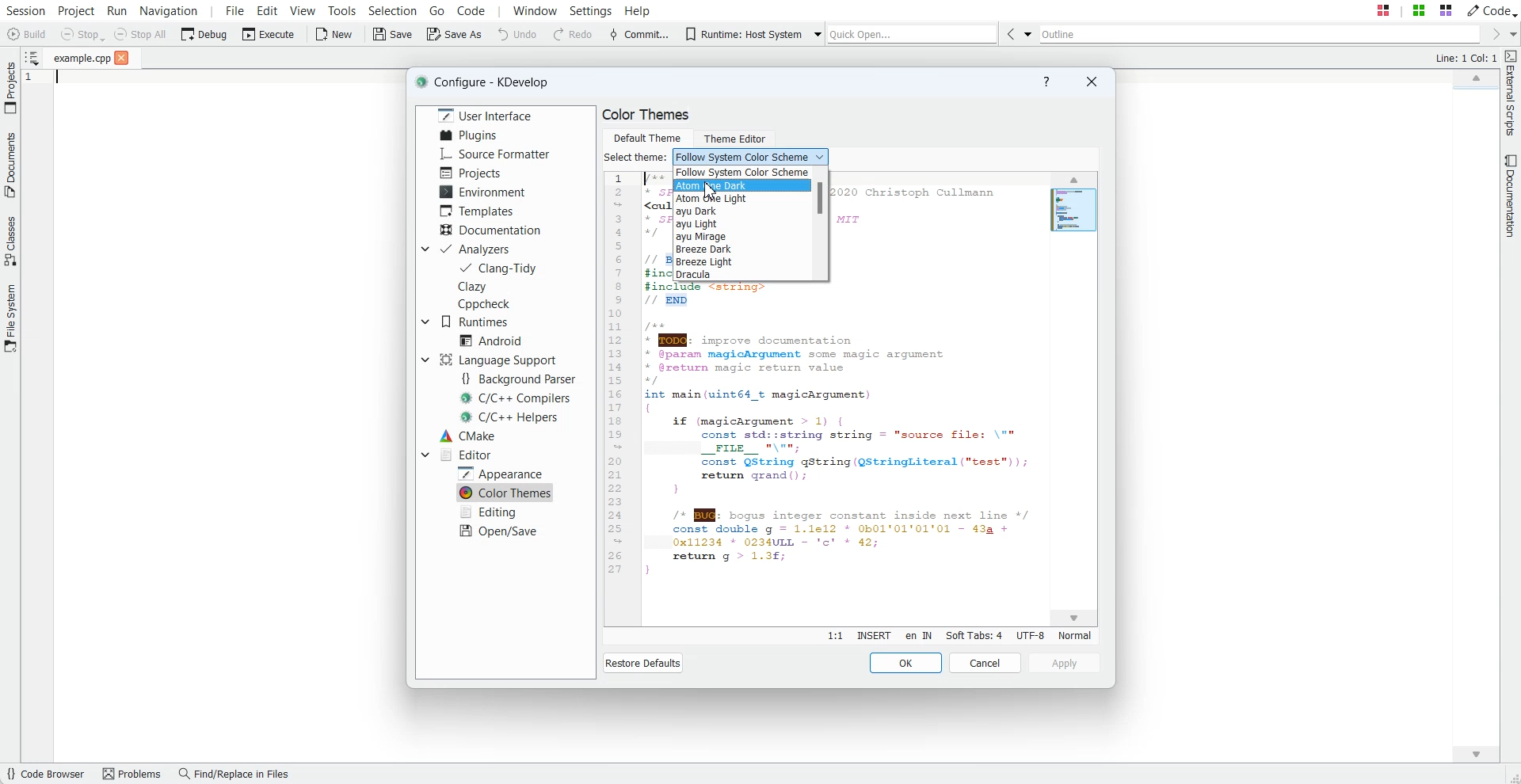 This screenshot has width=1521, height=784. I want to click on Default Theme, so click(646, 136).